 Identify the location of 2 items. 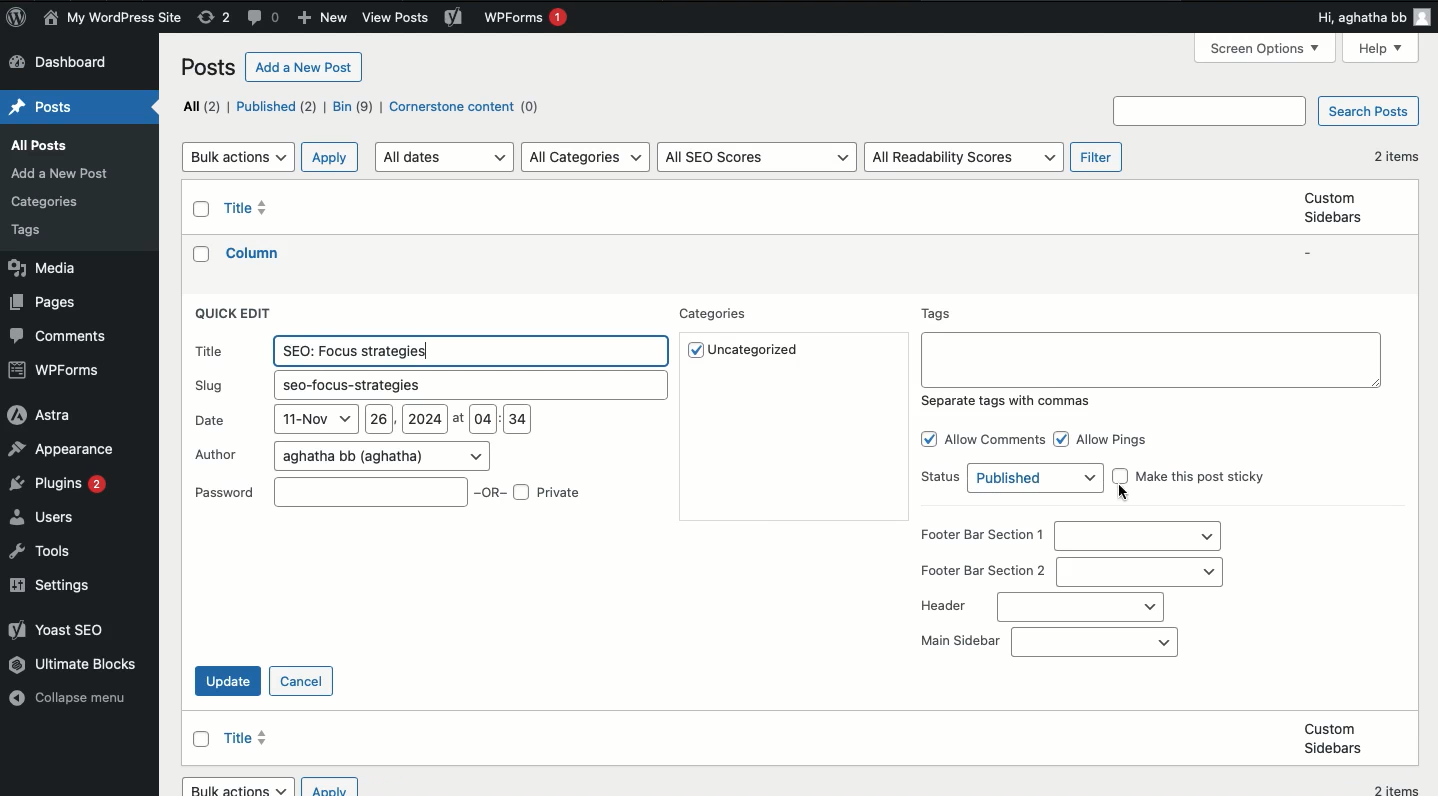
(1400, 787).